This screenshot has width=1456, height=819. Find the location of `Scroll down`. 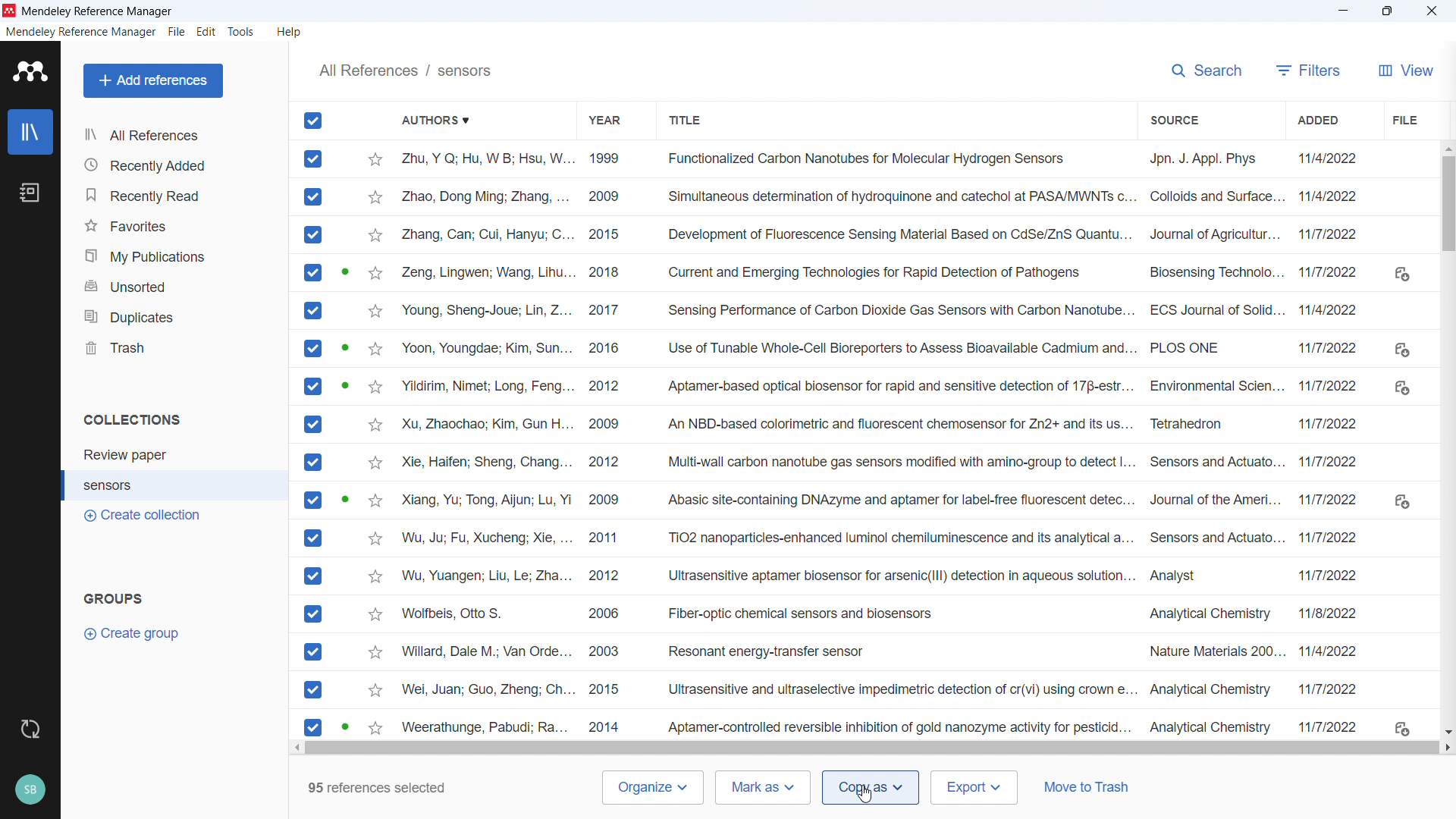

Scroll down is located at coordinates (1446, 732).